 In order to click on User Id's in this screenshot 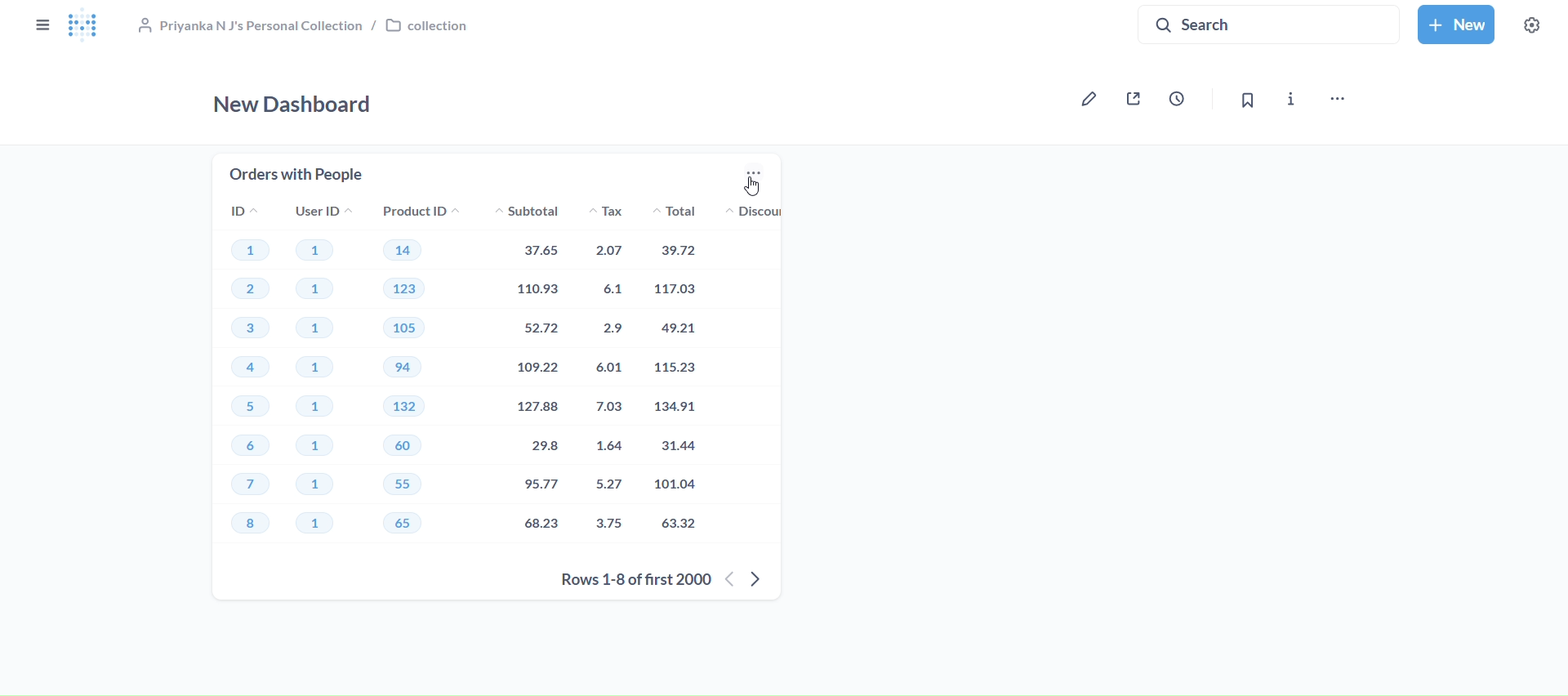, I will do `click(318, 376)`.